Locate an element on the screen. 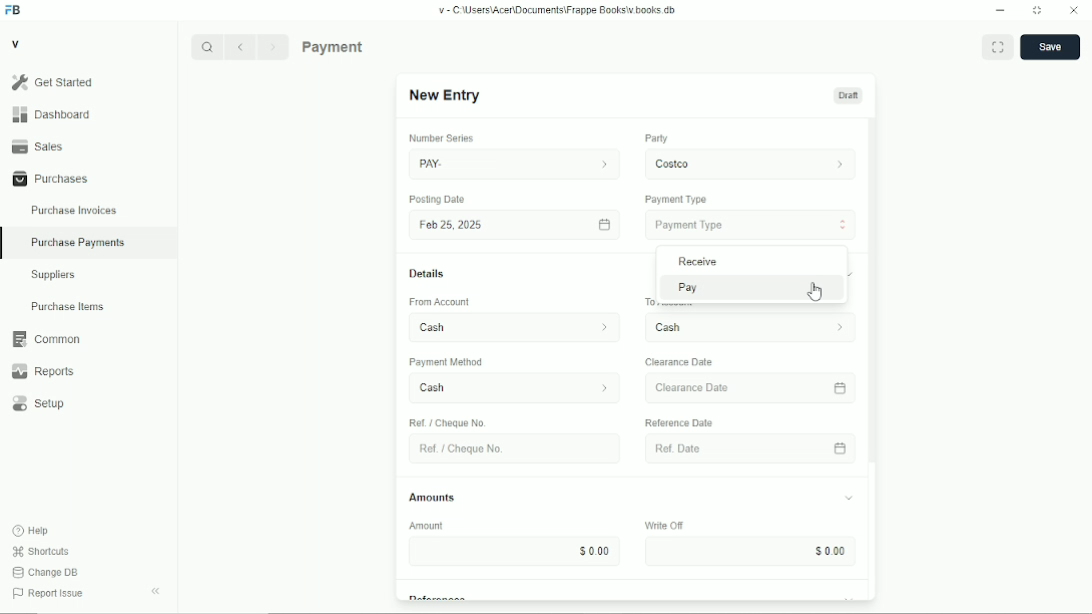 This screenshot has width=1092, height=614. Posting Date is located at coordinates (438, 200).